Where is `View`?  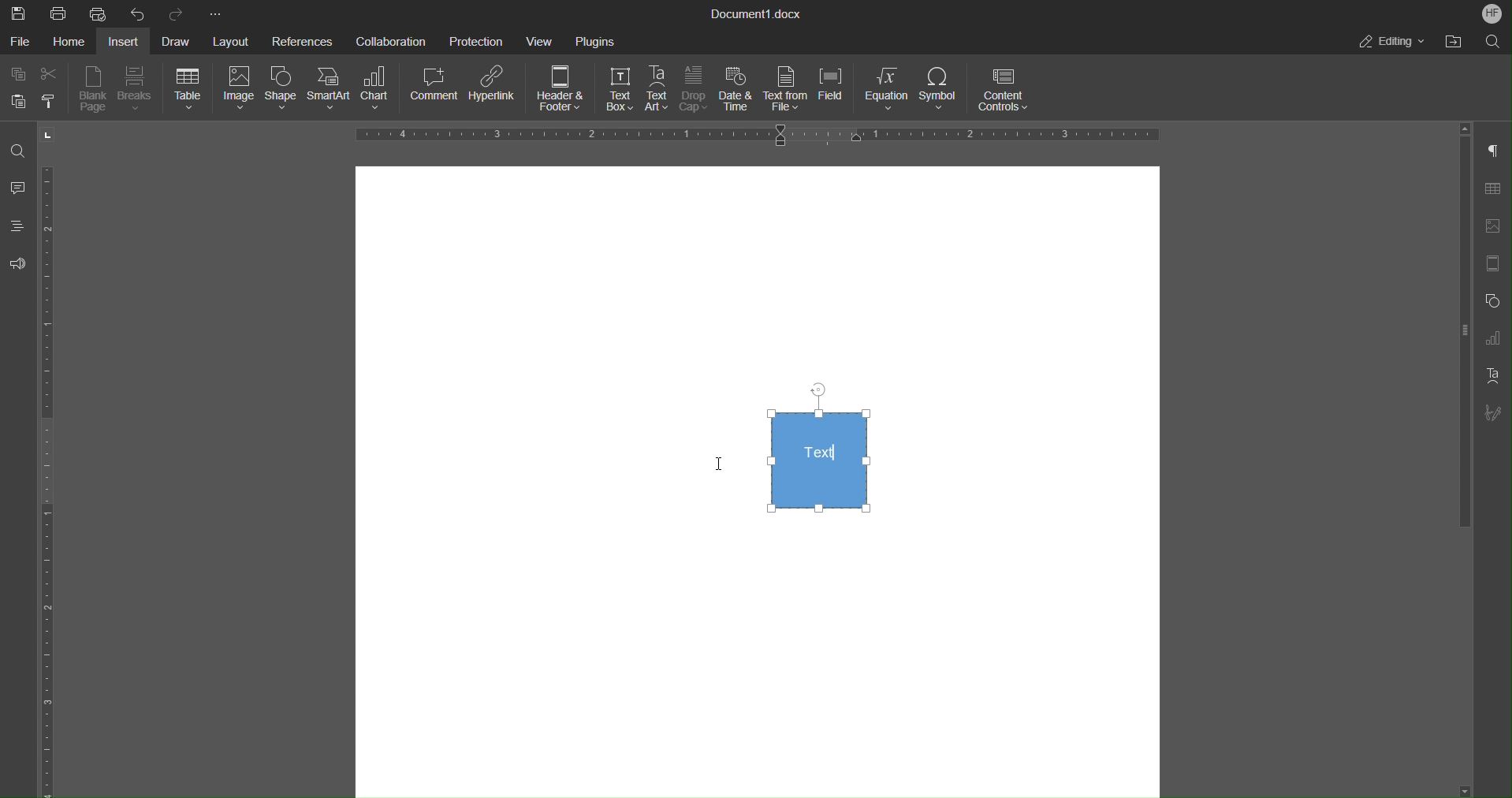
View is located at coordinates (543, 40).